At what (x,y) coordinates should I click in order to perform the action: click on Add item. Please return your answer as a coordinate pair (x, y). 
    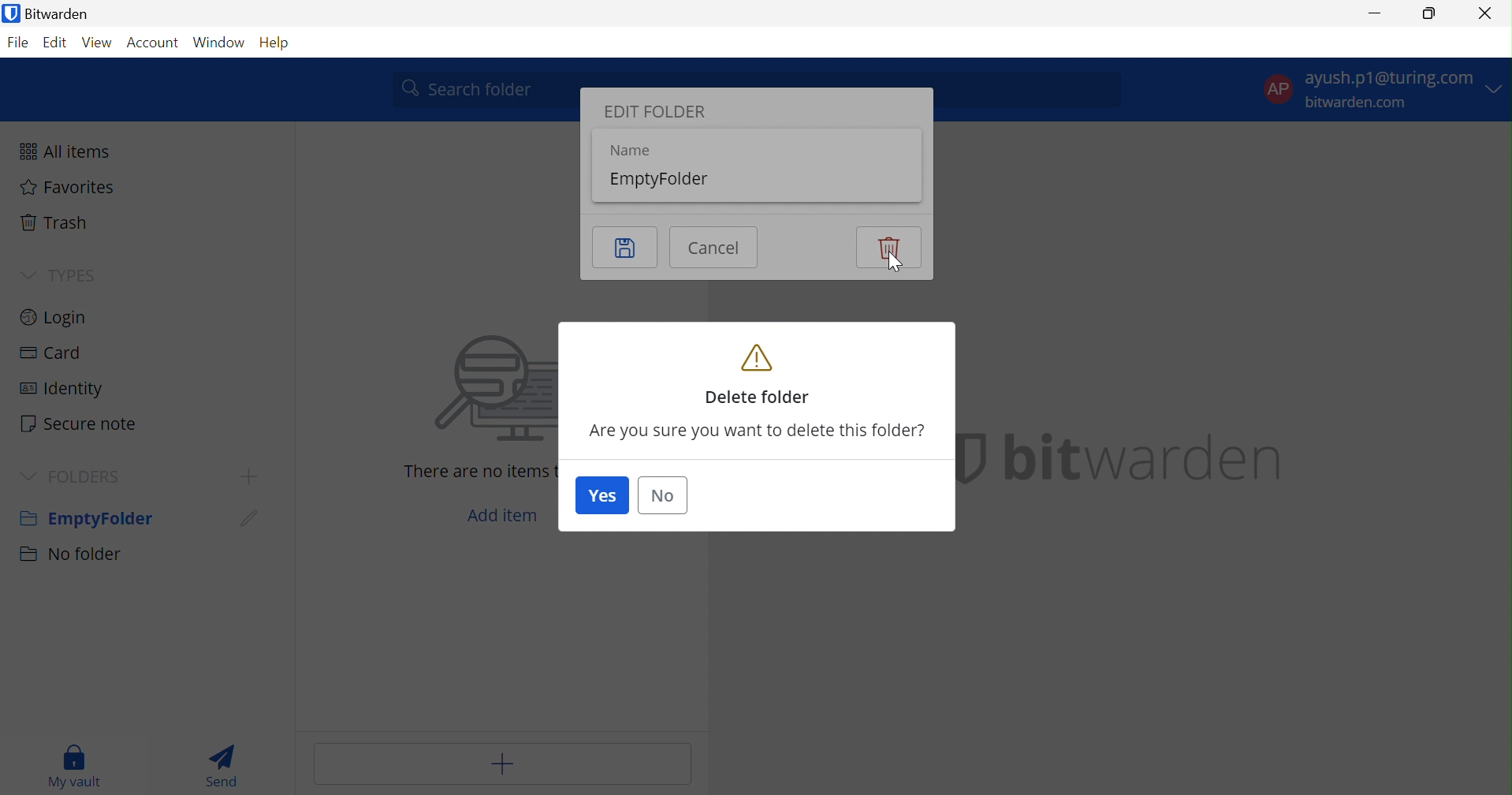
    Looking at the image, I should click on (503, 517).